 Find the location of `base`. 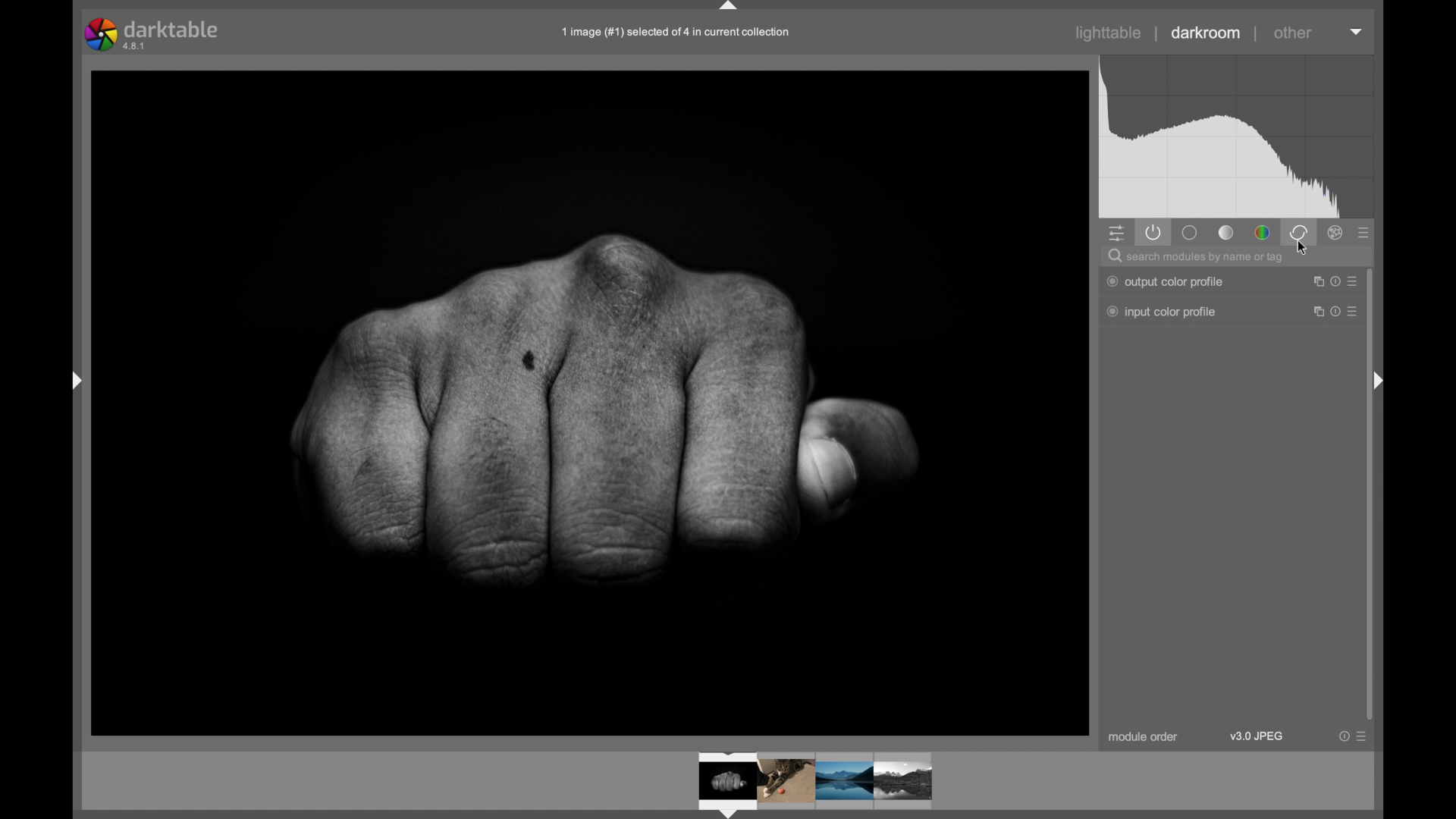

base is located at coordinates (1189, 232).